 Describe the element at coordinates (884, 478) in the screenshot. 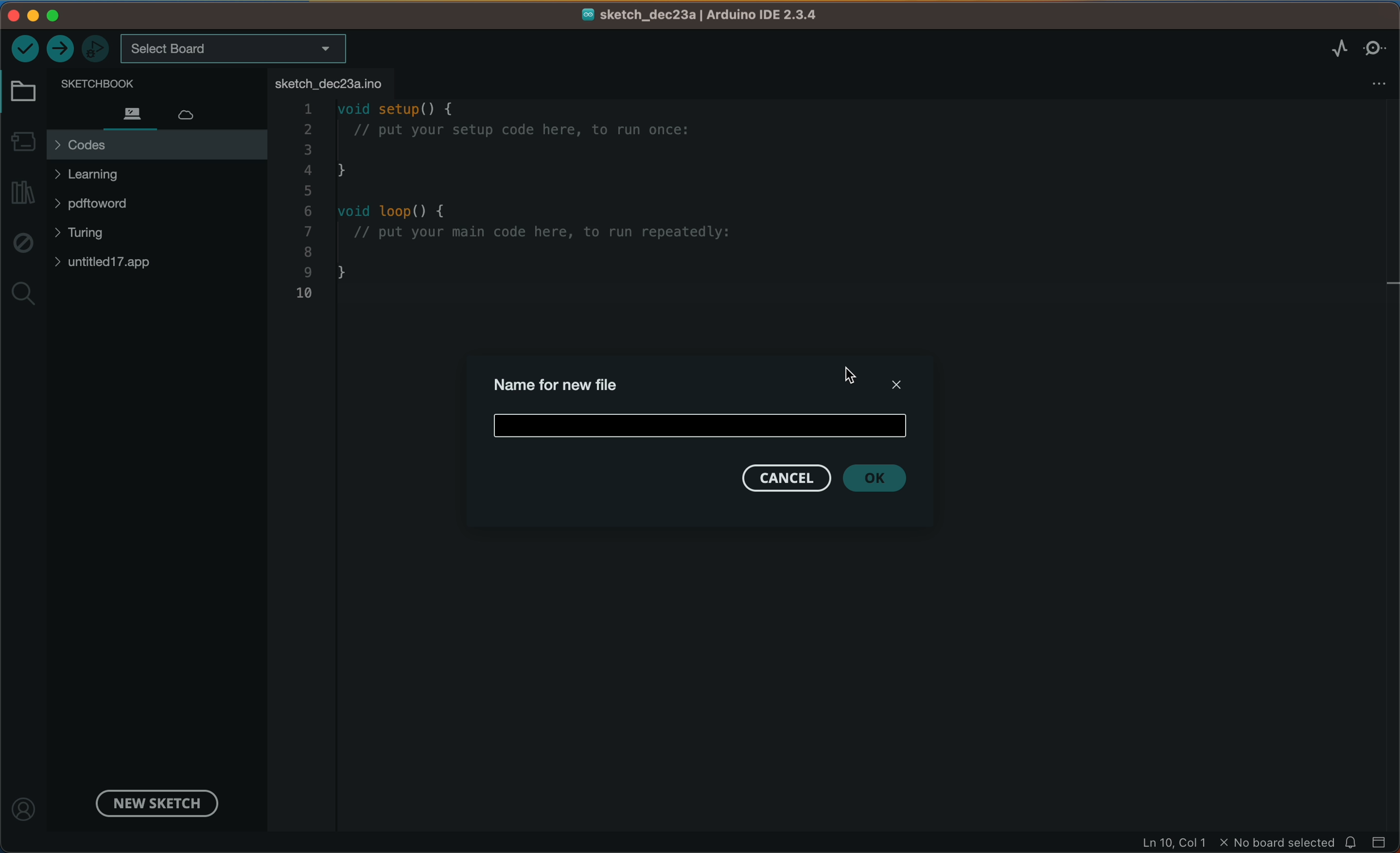

I see `ok` at that location.